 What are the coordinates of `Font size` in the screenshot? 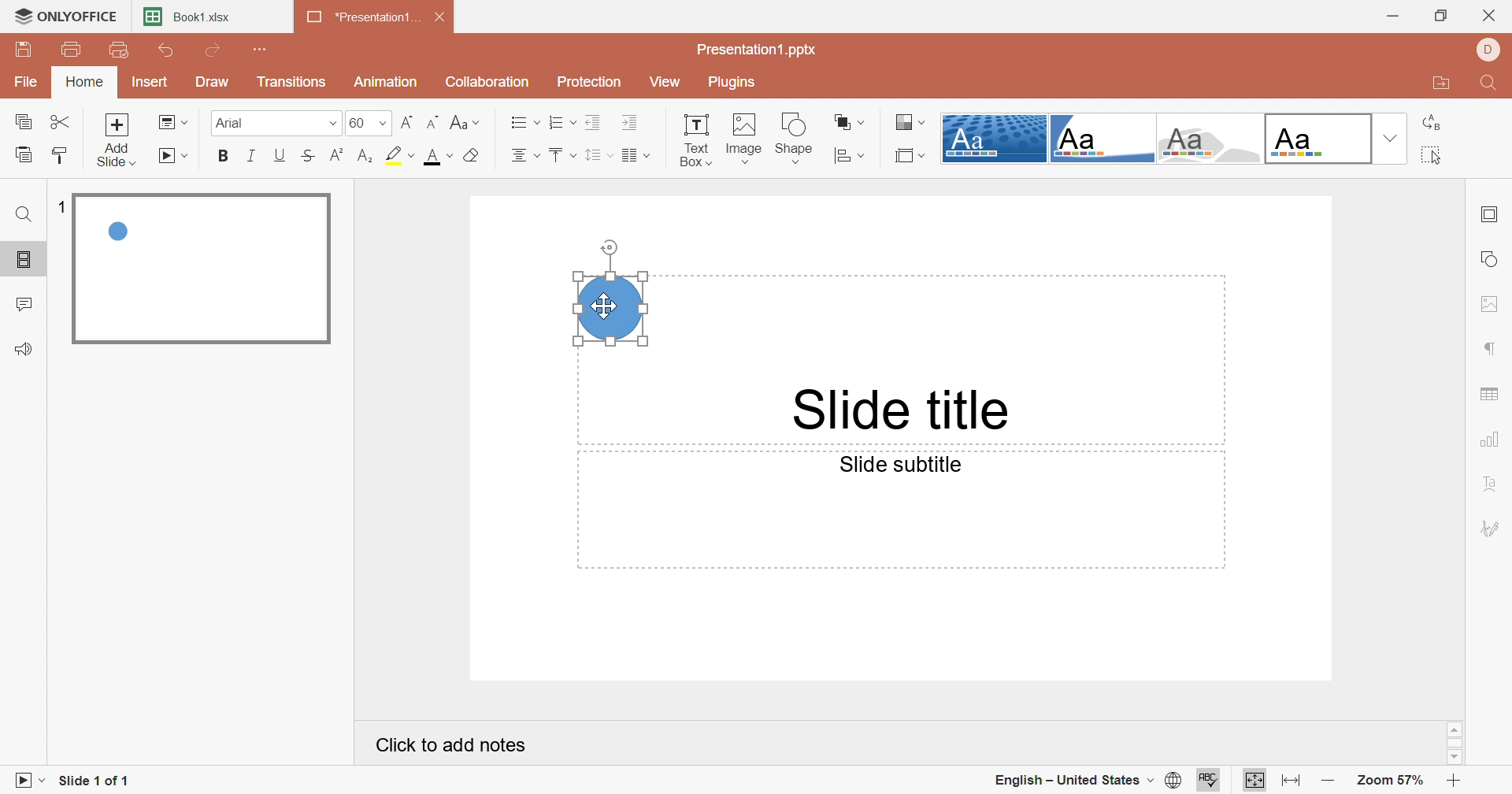 It's located at (369, 122).